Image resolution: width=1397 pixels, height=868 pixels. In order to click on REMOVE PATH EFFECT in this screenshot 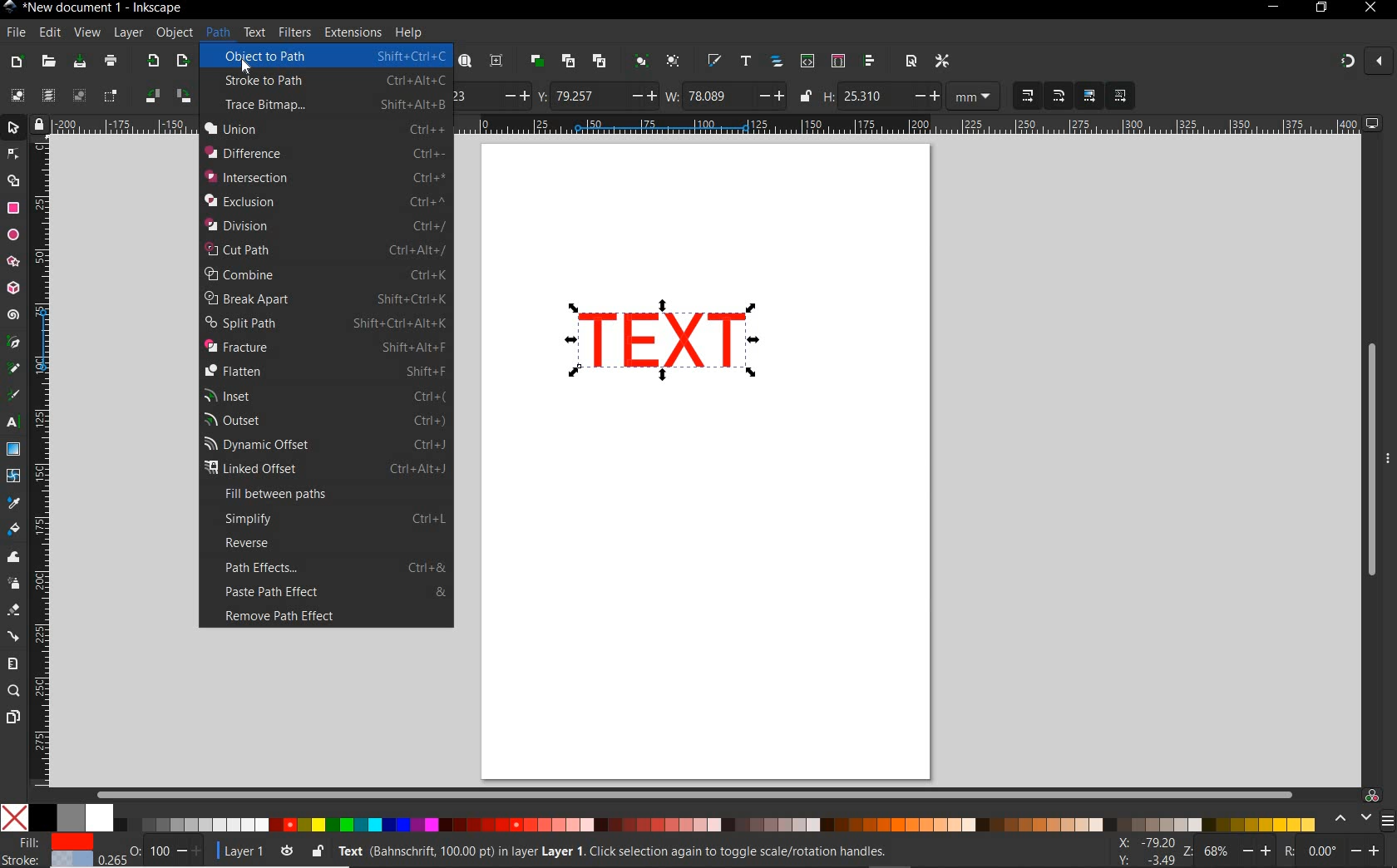, I will do `click(322, 618)`.